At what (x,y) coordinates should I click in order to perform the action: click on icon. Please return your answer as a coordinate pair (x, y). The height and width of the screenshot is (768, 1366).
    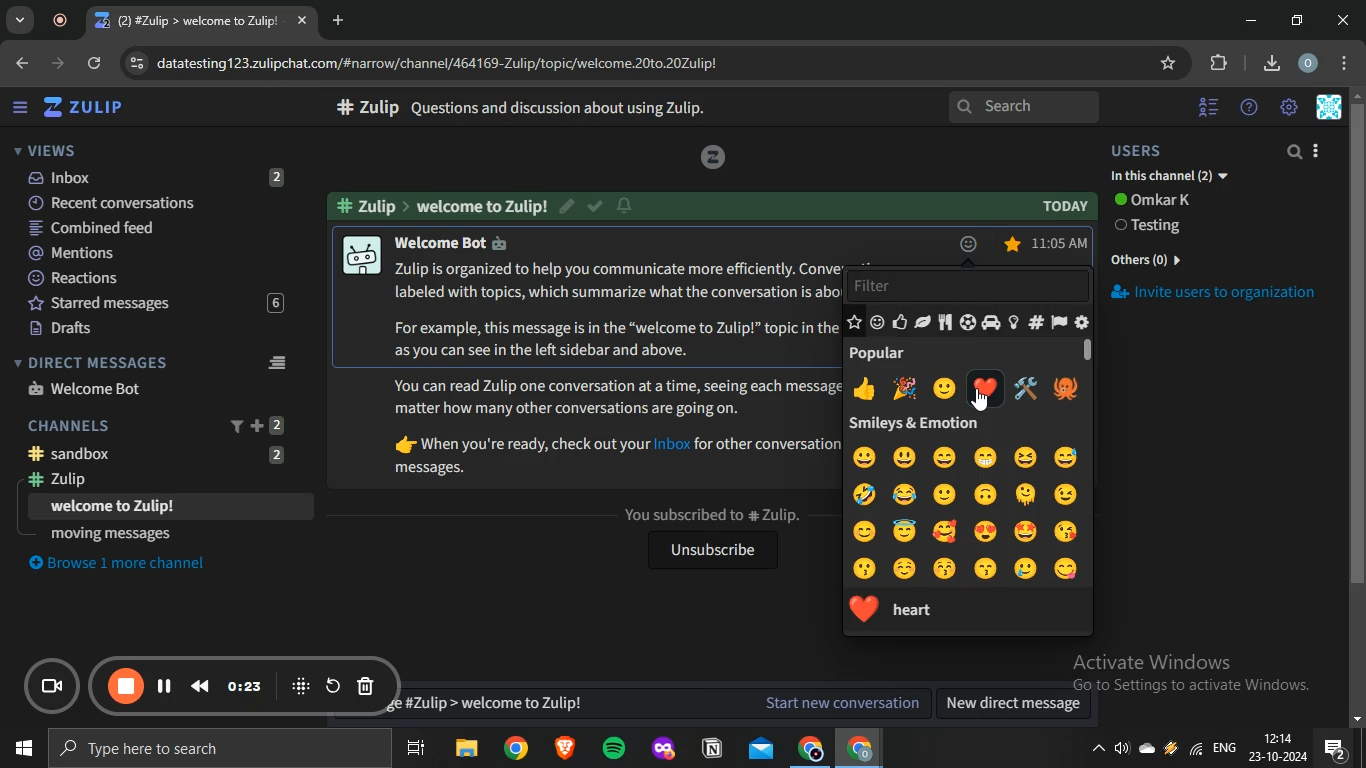
    Looking at the image, I should click on (712, 157).